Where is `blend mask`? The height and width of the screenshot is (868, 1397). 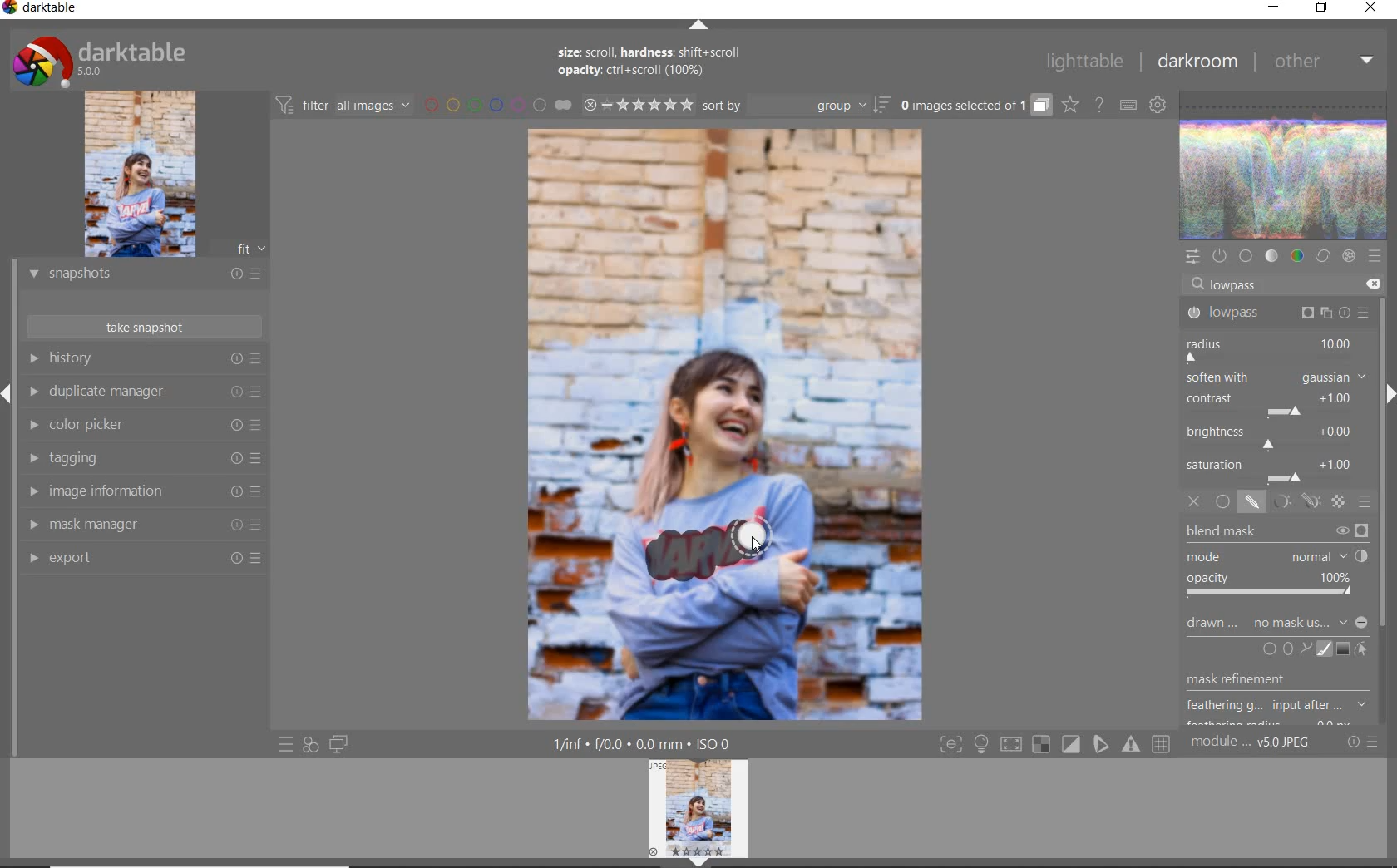 blend mask is located at coordinates (1281, 562).